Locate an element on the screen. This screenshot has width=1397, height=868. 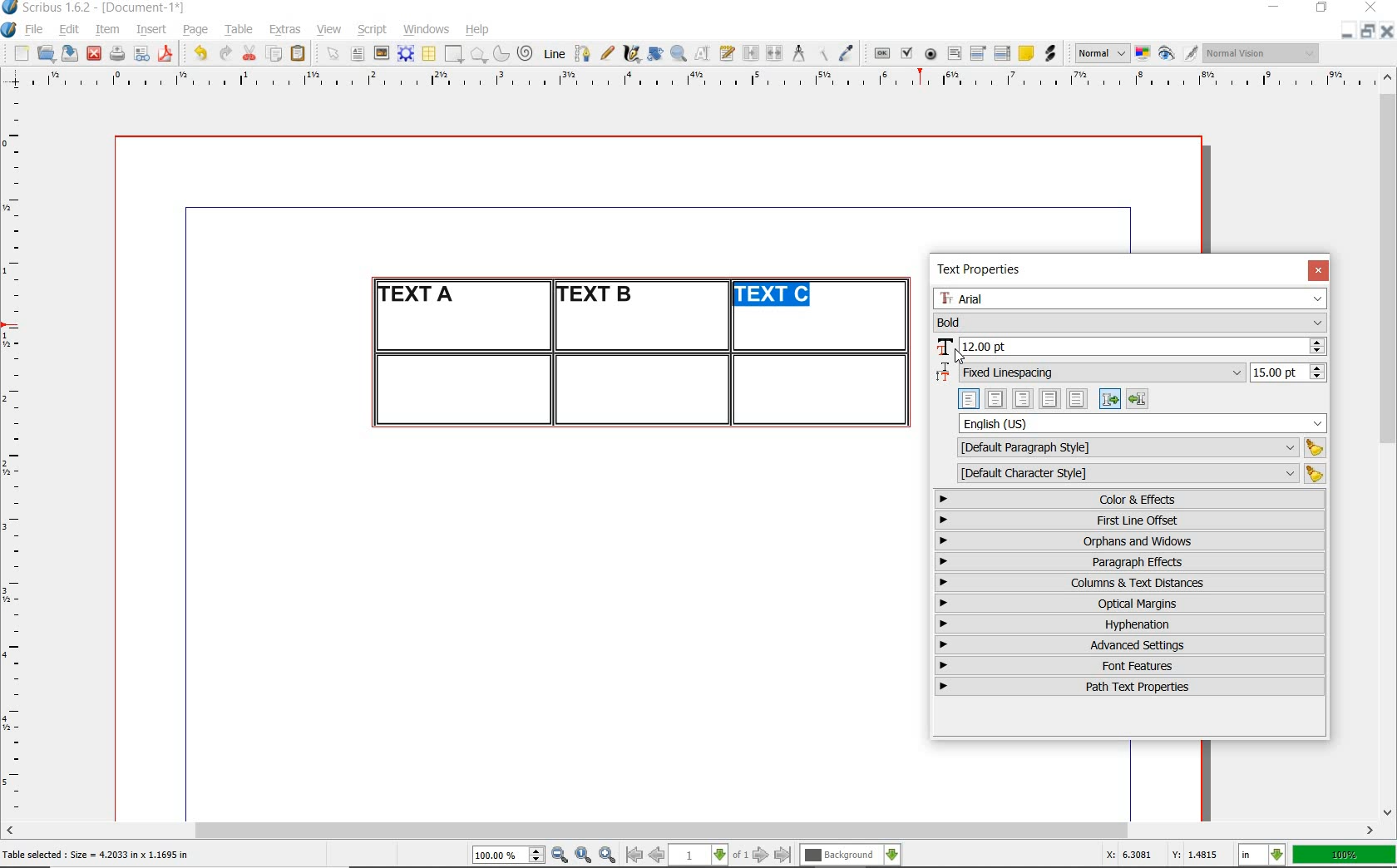
edit is located at coordinates (70, 29).